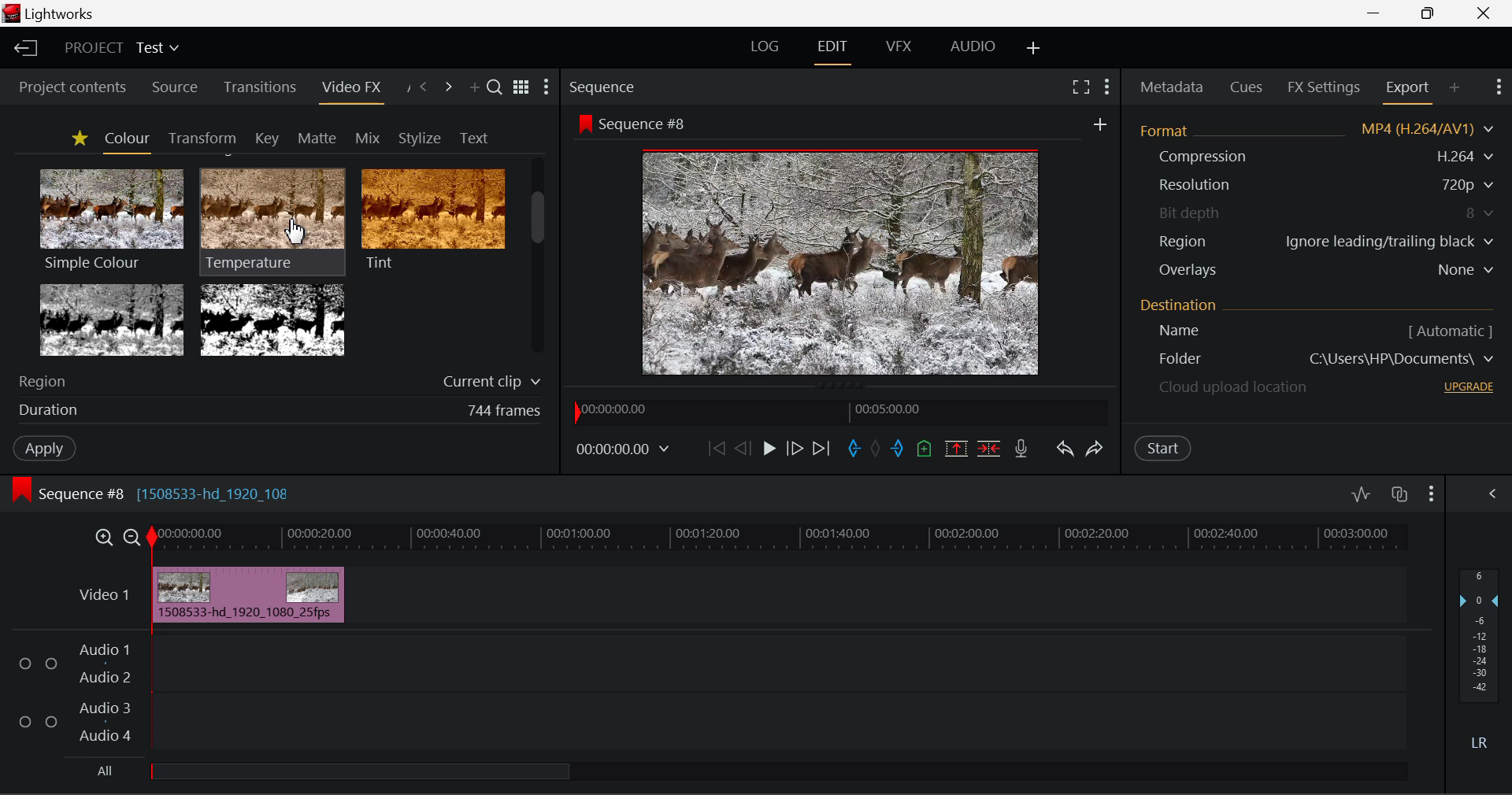  What do you see at coordinates (271, 220) in the screenshot?
I see `Temperature` at bounding box center [271, 220].